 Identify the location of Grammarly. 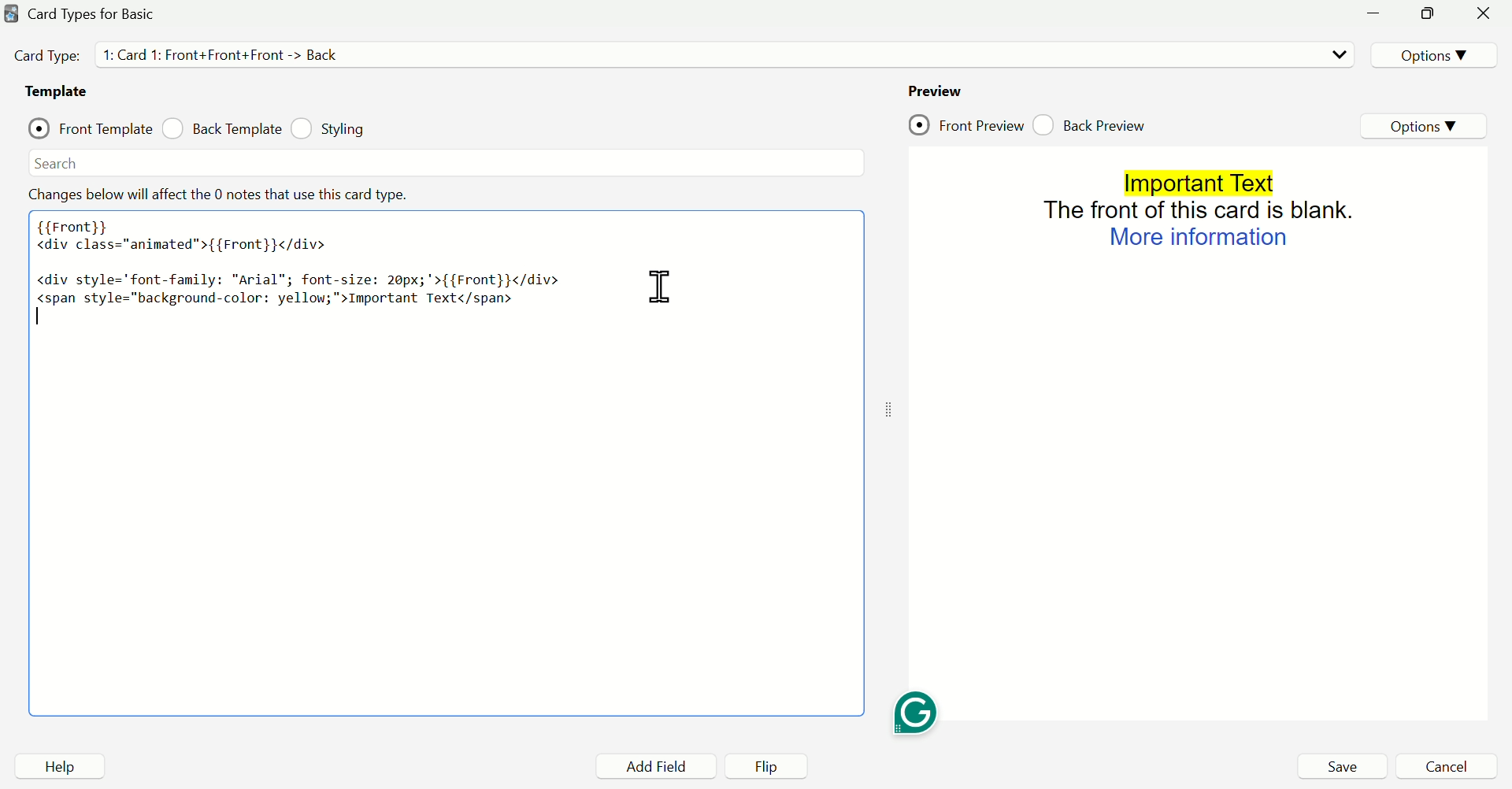
(917, 711).